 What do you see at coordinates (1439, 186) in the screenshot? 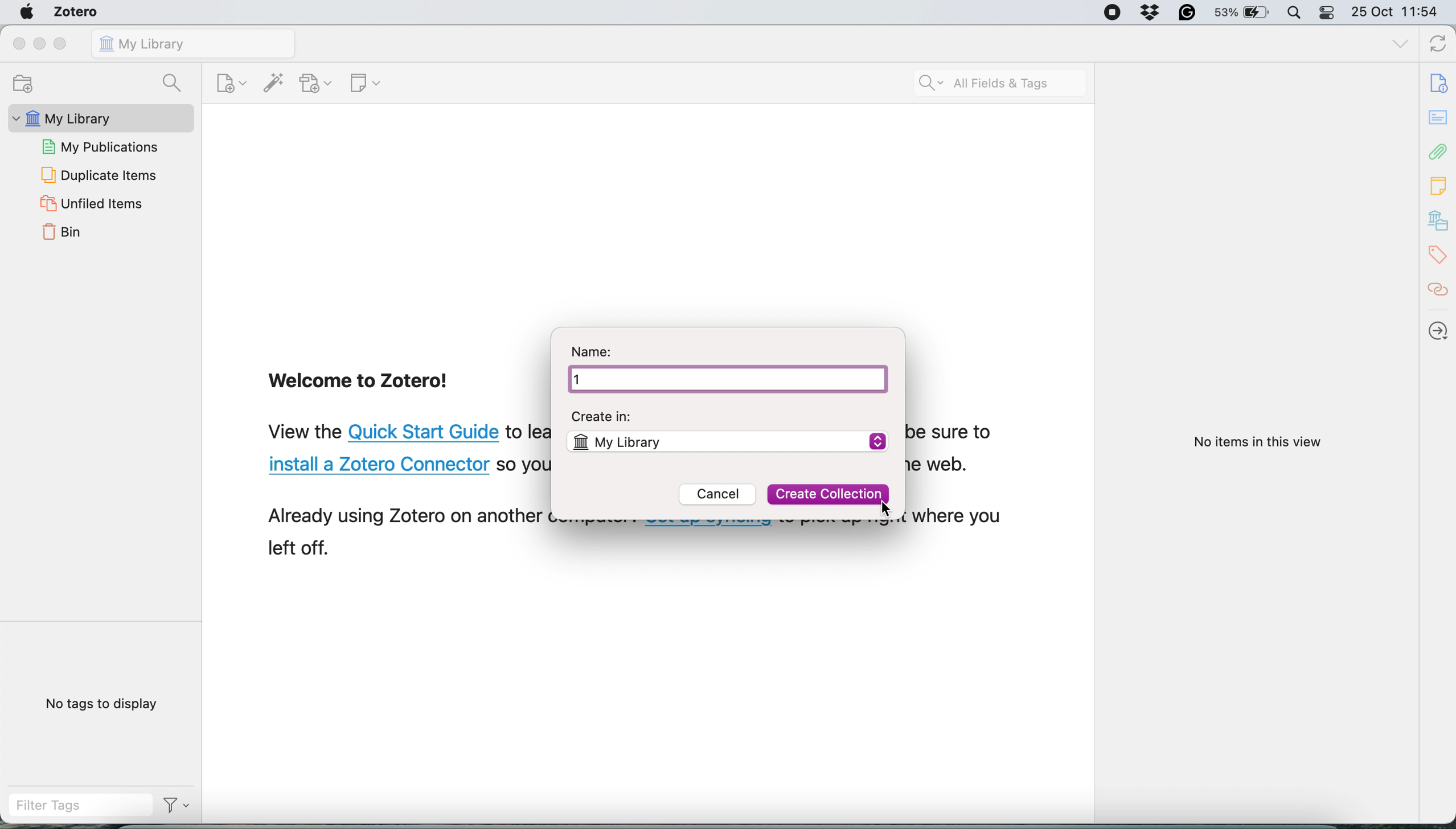
I see `notes` at bounding box center [1439, 186].